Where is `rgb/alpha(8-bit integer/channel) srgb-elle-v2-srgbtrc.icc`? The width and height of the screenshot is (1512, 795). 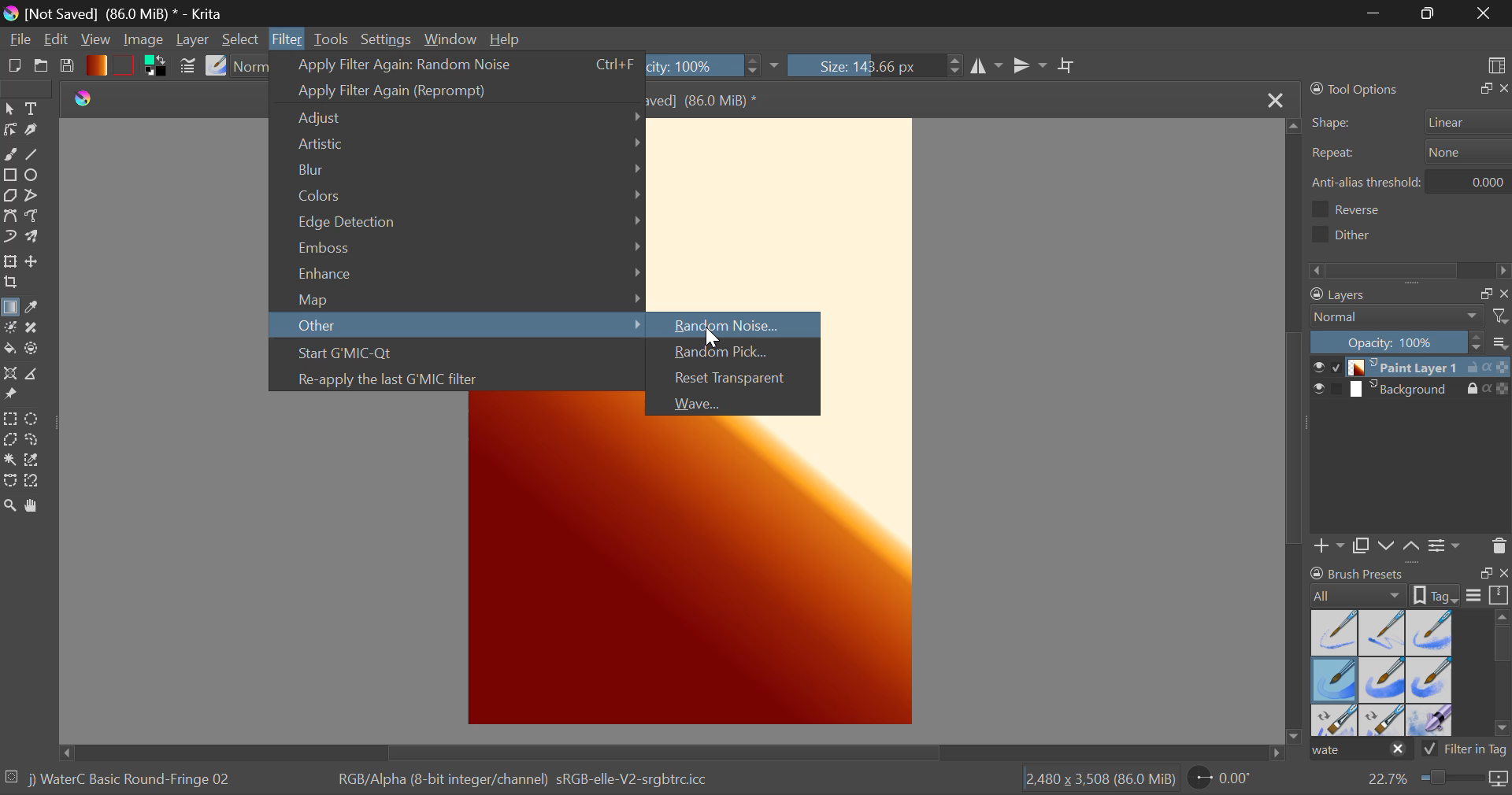
rgb/alpha(8-bit integer/channel) srgb-elle-v2-srgbtrc.icc is located at coordinates (533, 784).